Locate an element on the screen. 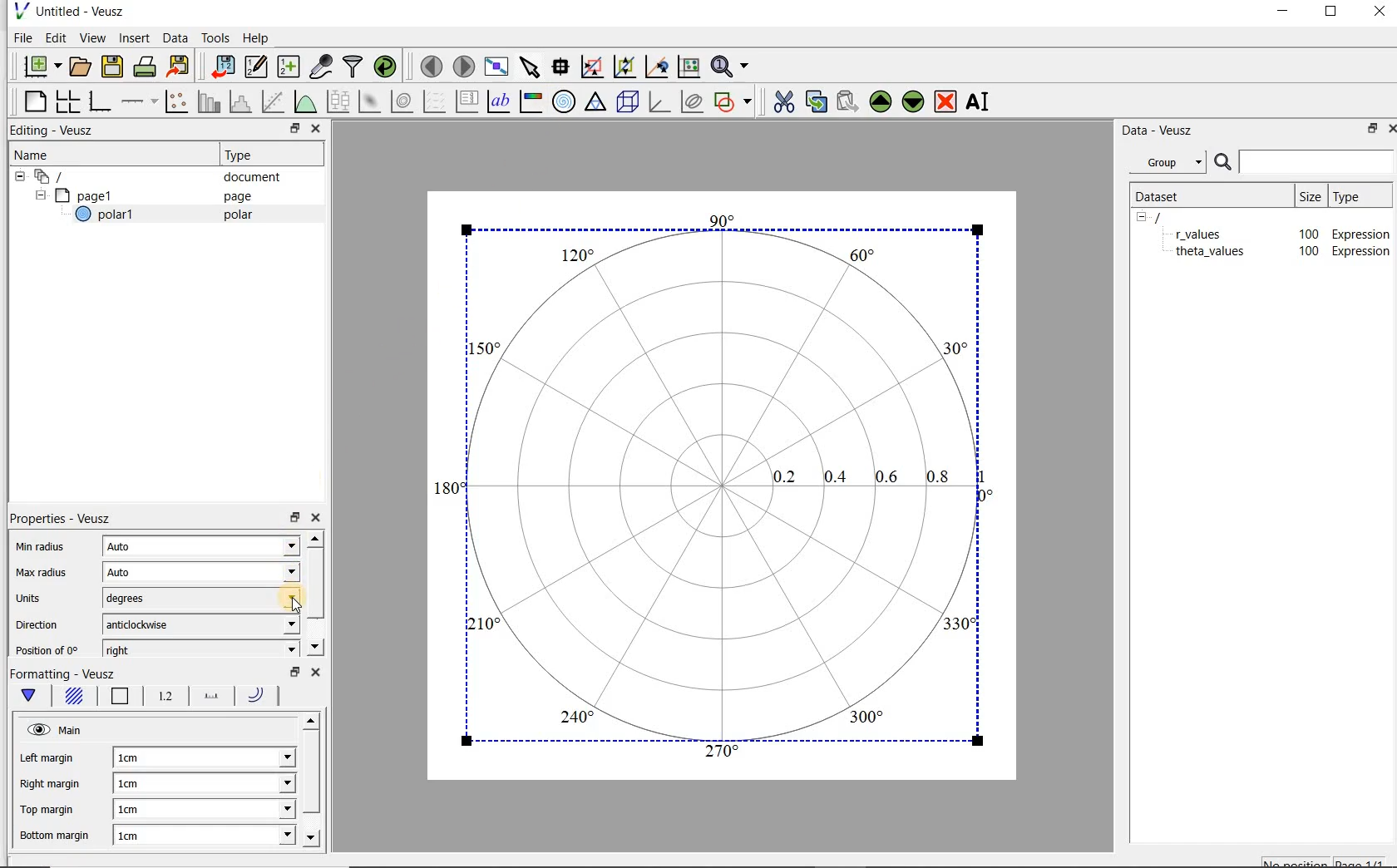 The width and height of the screenshot is (1397, 868). degrees is located at coordinates (139, 597).